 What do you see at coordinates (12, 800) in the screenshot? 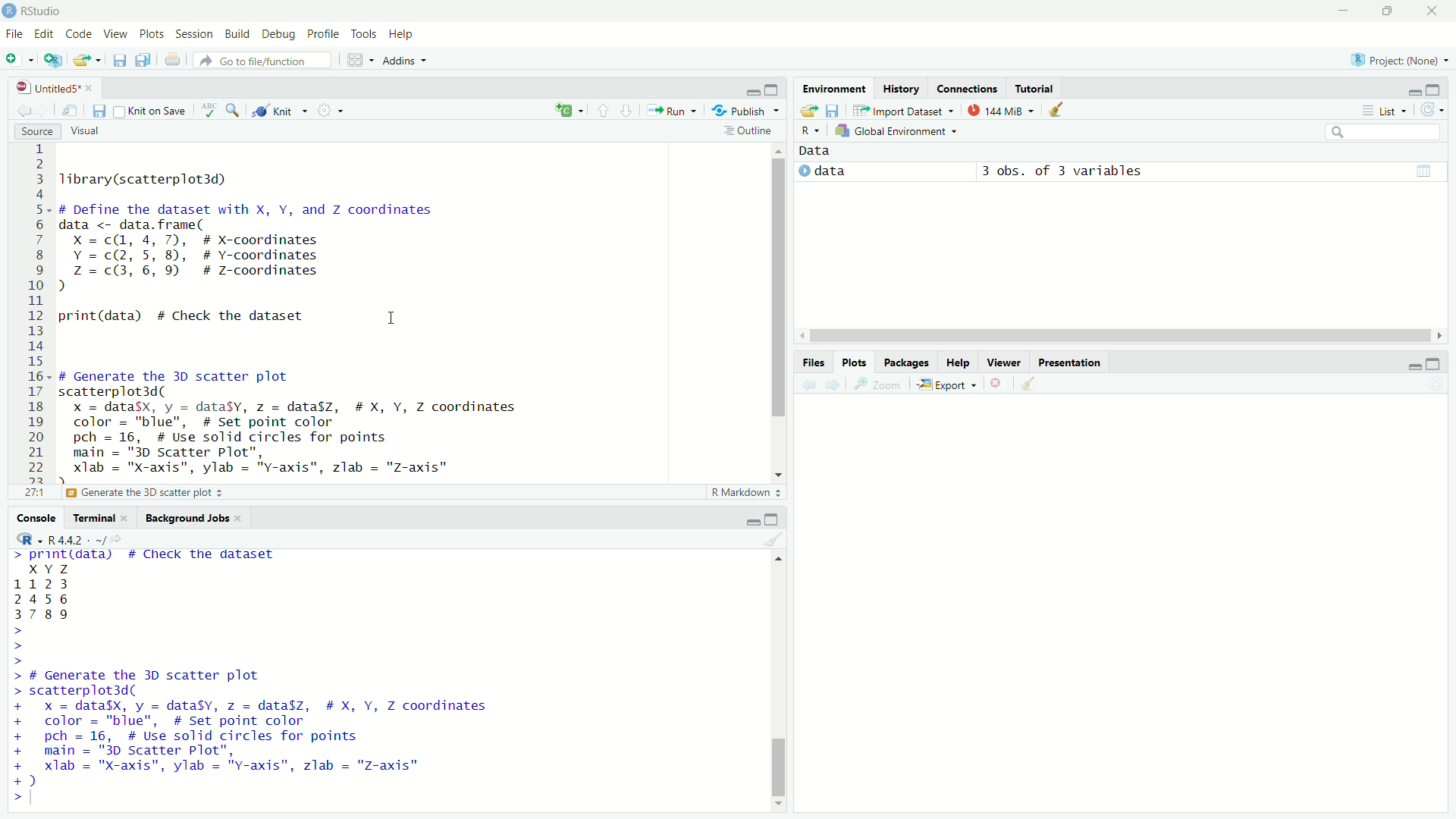
I see `prompt  cursor` at bounding box center [12, 800].